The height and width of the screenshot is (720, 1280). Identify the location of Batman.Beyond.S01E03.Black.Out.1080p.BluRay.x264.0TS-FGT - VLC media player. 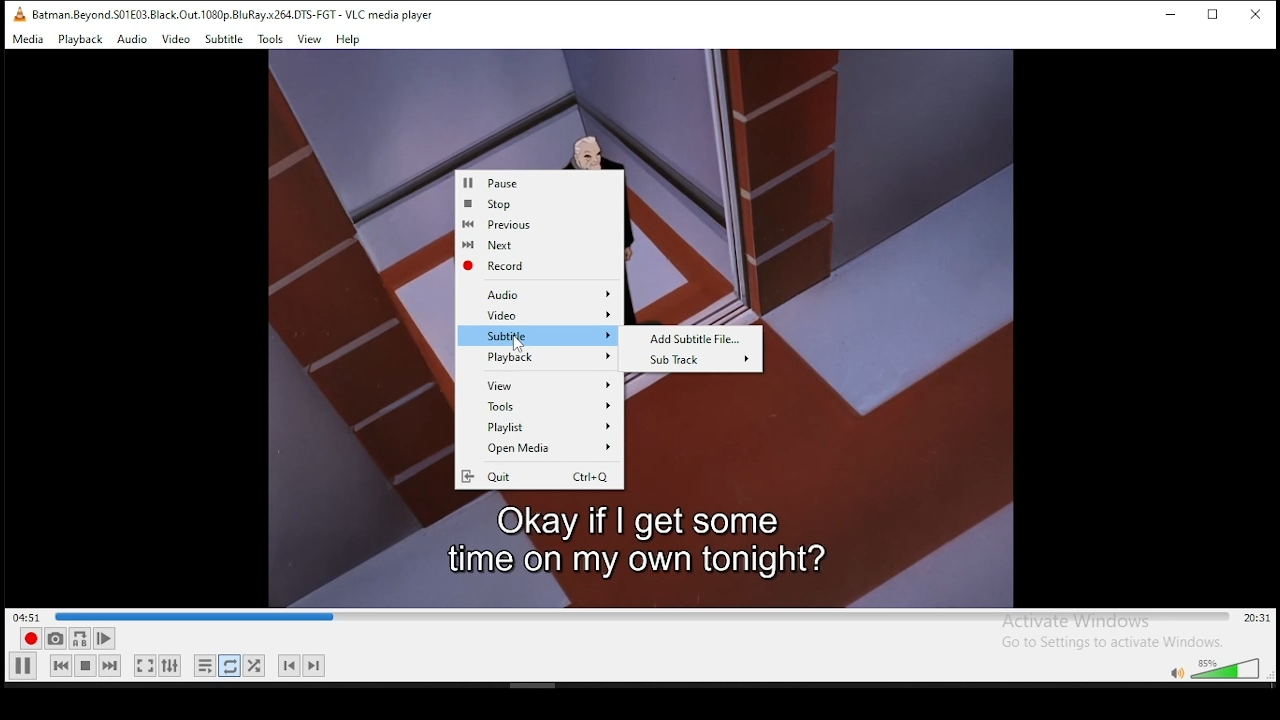
(223, 15).